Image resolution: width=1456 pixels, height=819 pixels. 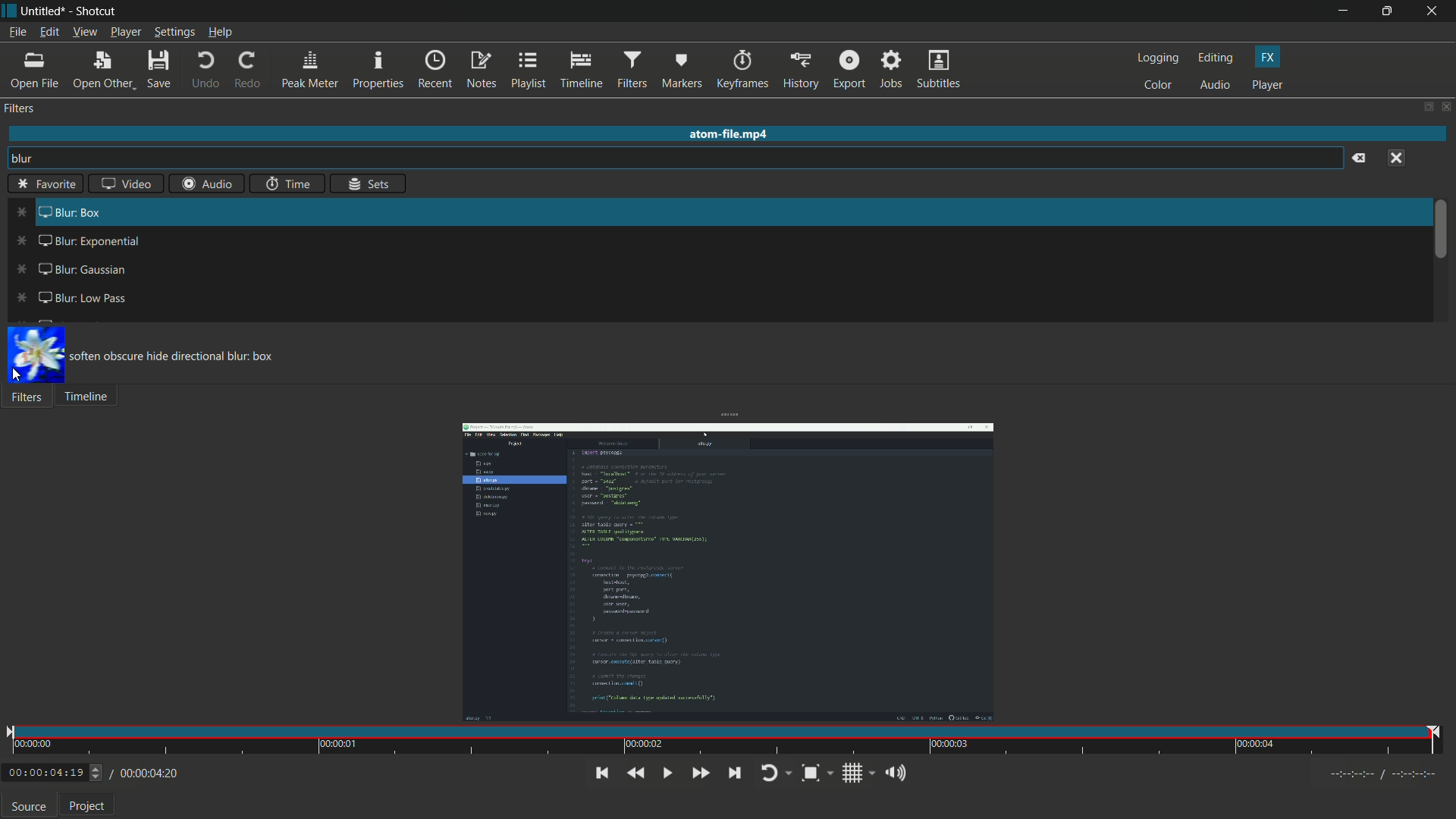 I want to click on Audio, so click(x=203, y=185).